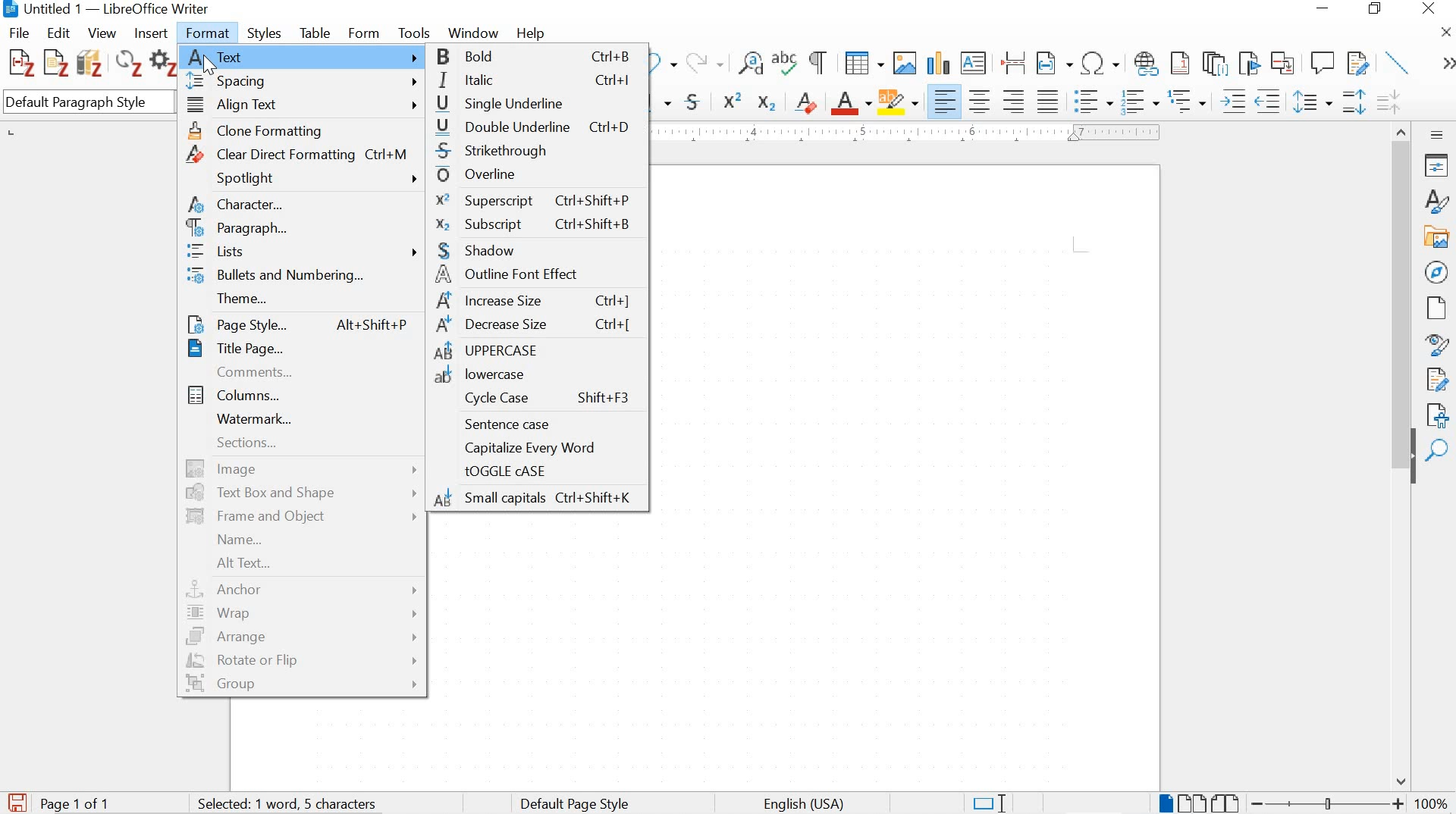 The image size is (1456, 814). Describe the element at coordinates (77, 803) in the screenshot. I see `page 1 of 1` at that location.